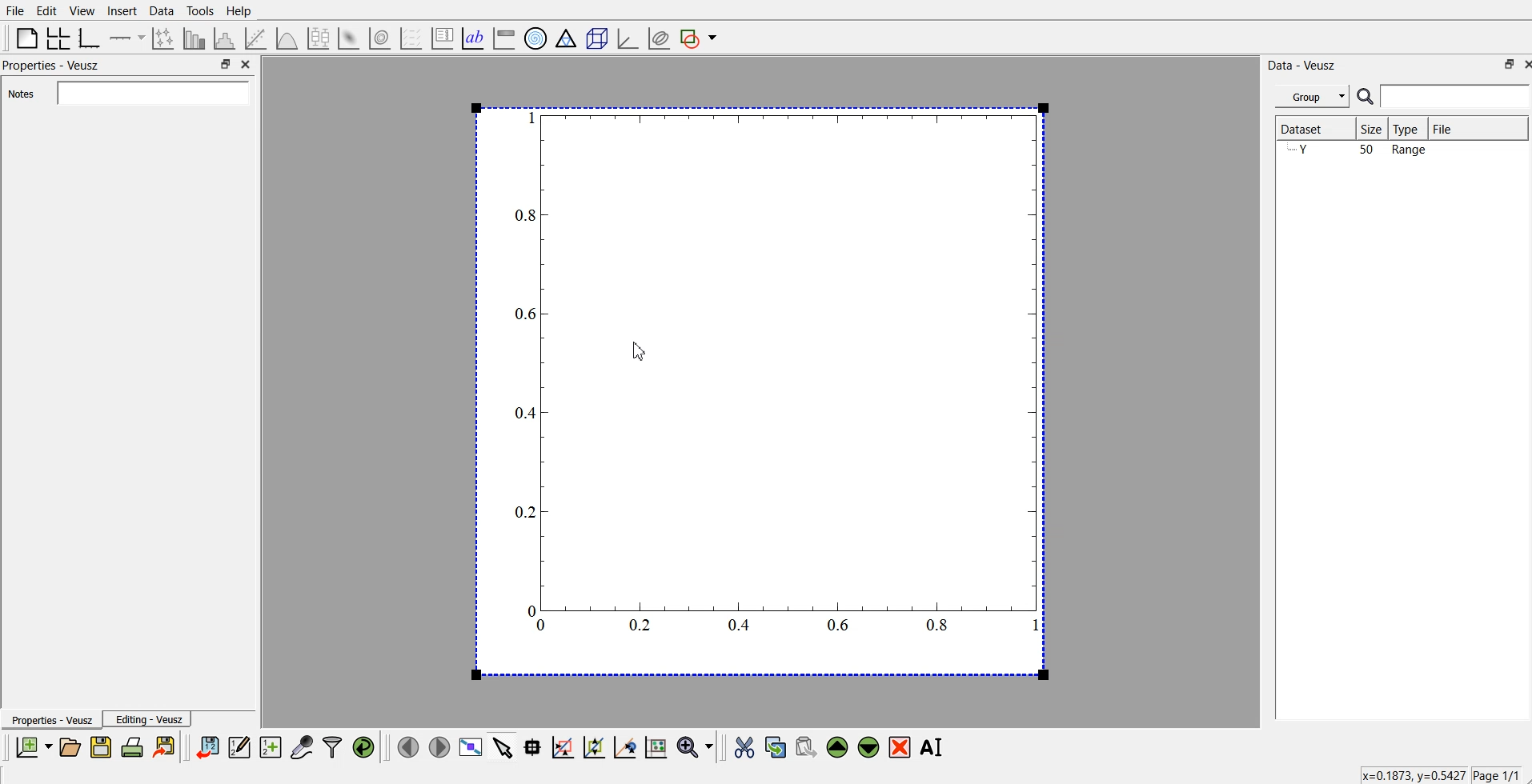  What do you see at coordinates (502, 749) in the screenshot?
I see `select items` at bounding box center [502, 749].